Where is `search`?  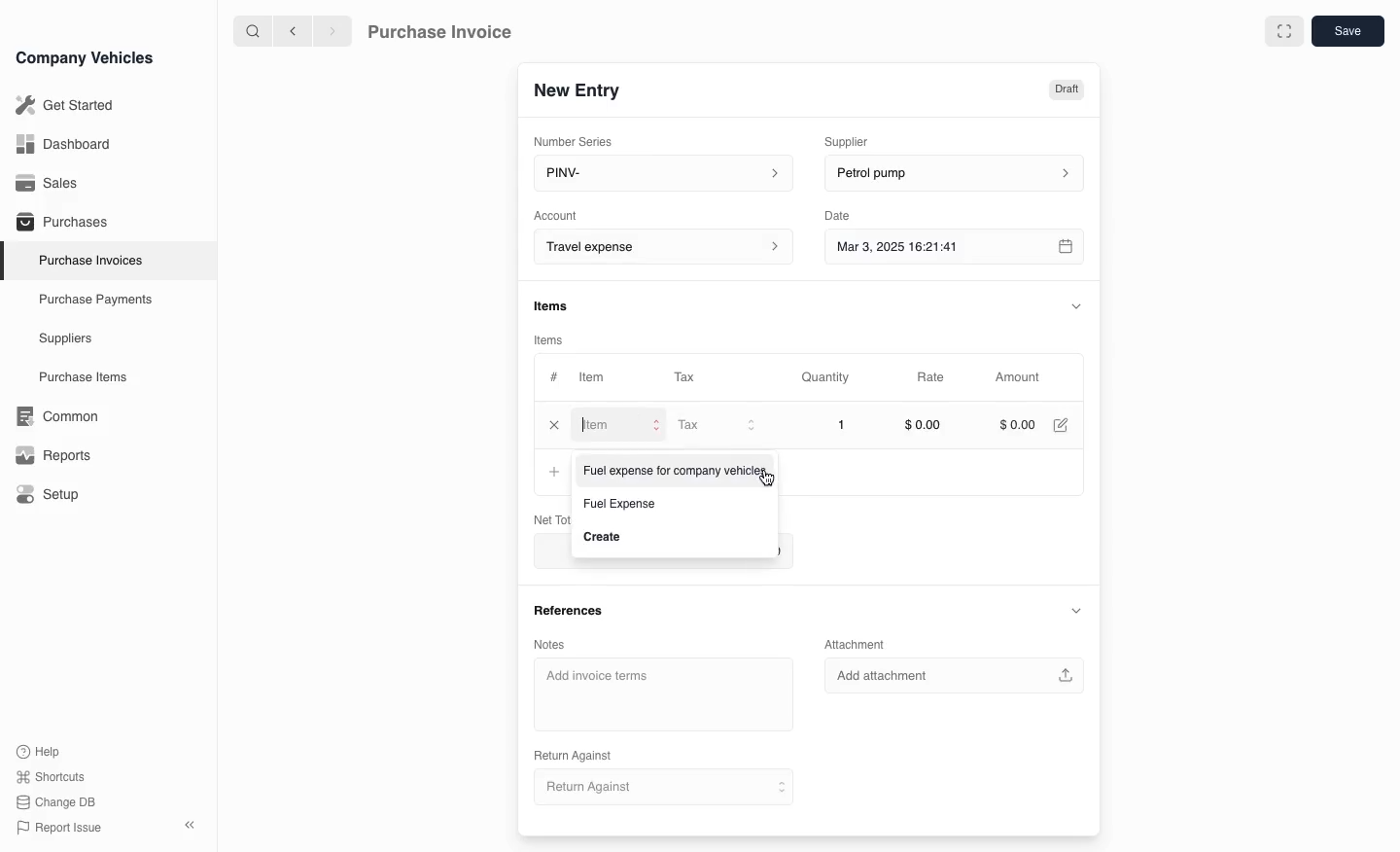
search is located at coordinates (254, 30).